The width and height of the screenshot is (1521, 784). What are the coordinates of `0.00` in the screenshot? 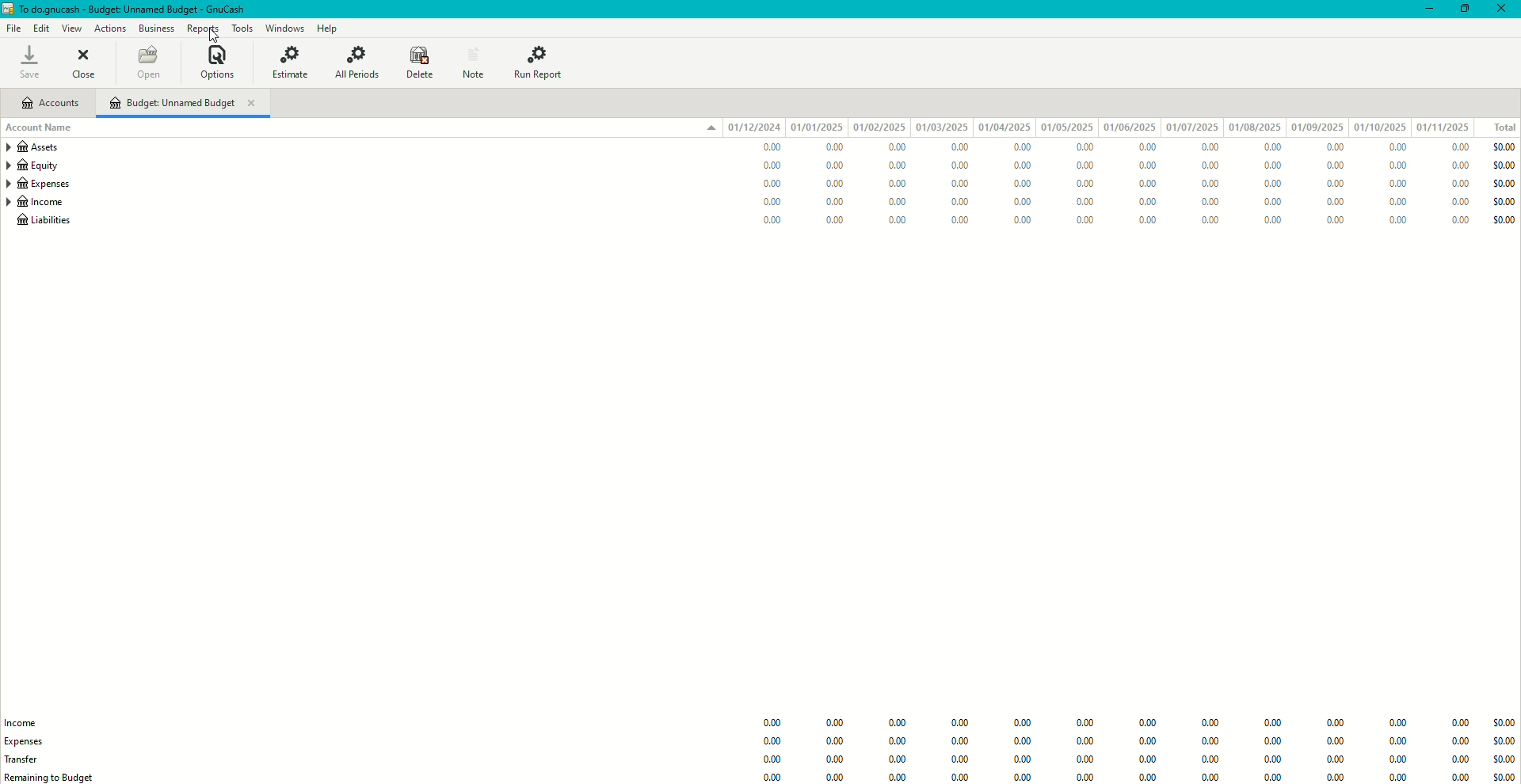 It's located at (1461, 164).